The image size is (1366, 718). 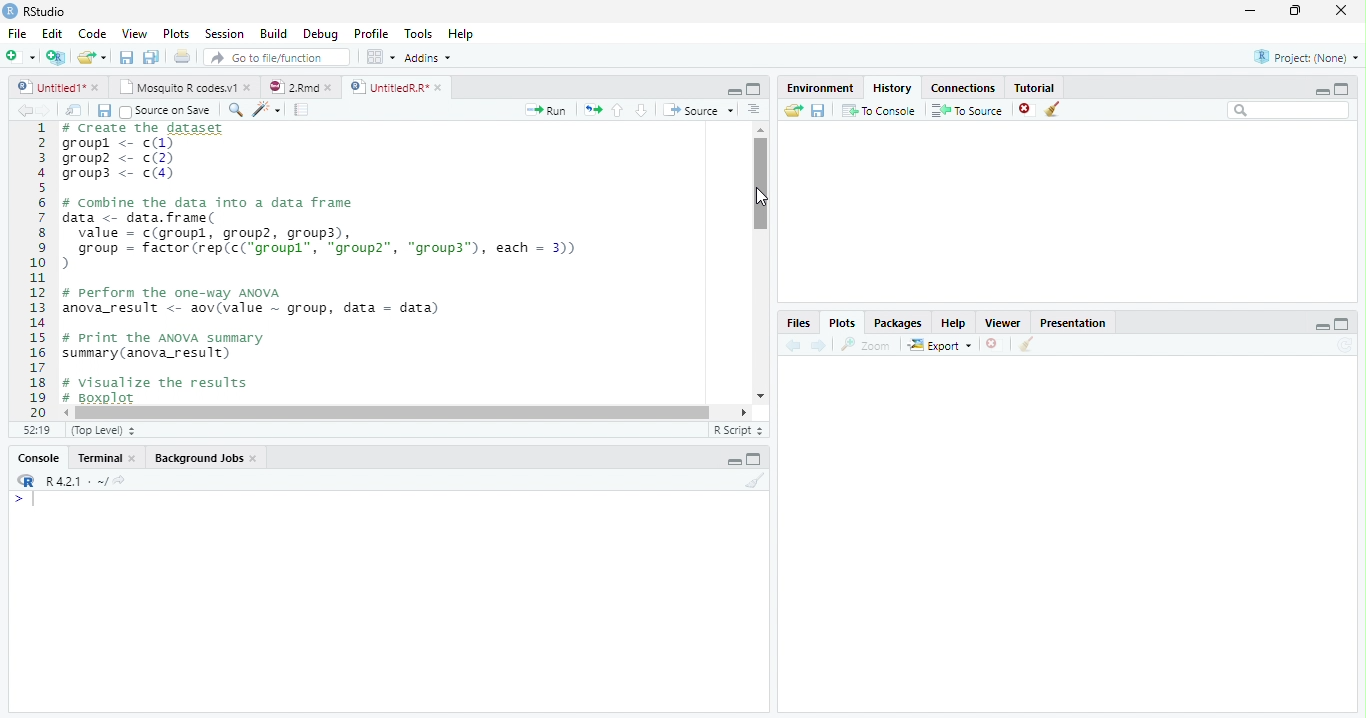 What do you see at coordinates (755, 461) in the screenshot?
I see `Maximize` at bounding box center [755, 461].